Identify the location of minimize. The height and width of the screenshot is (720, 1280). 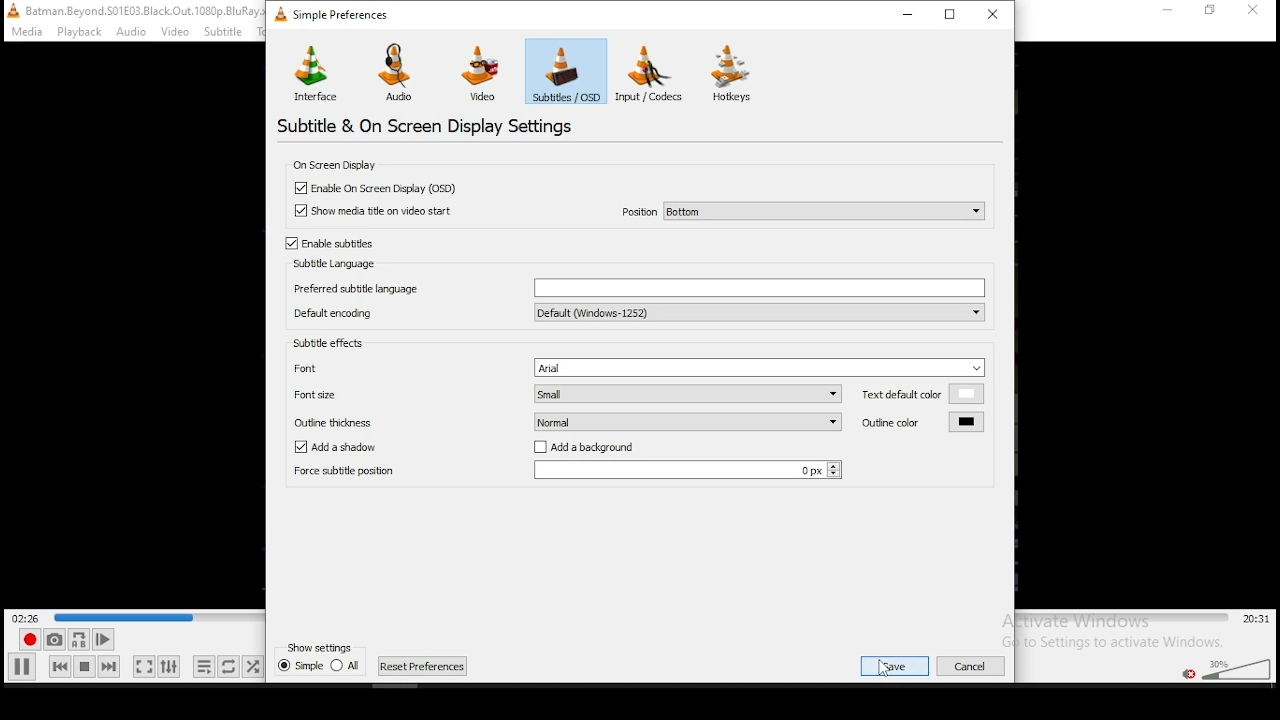
(912, 14).